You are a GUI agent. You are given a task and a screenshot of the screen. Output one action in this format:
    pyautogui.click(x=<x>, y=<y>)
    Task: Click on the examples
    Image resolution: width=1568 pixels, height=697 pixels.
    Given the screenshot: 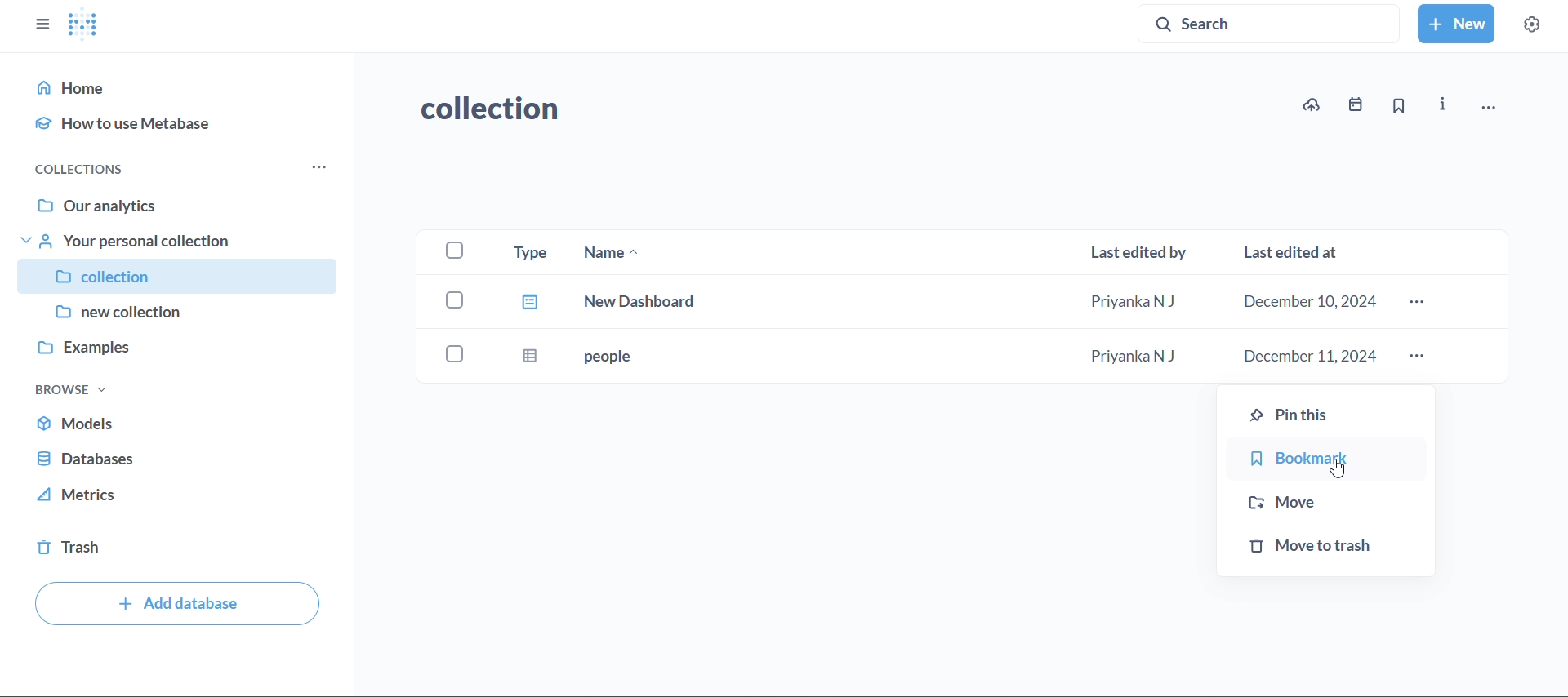 What is the action you would take?
    pyautogui.click(x=176, y=354)
    